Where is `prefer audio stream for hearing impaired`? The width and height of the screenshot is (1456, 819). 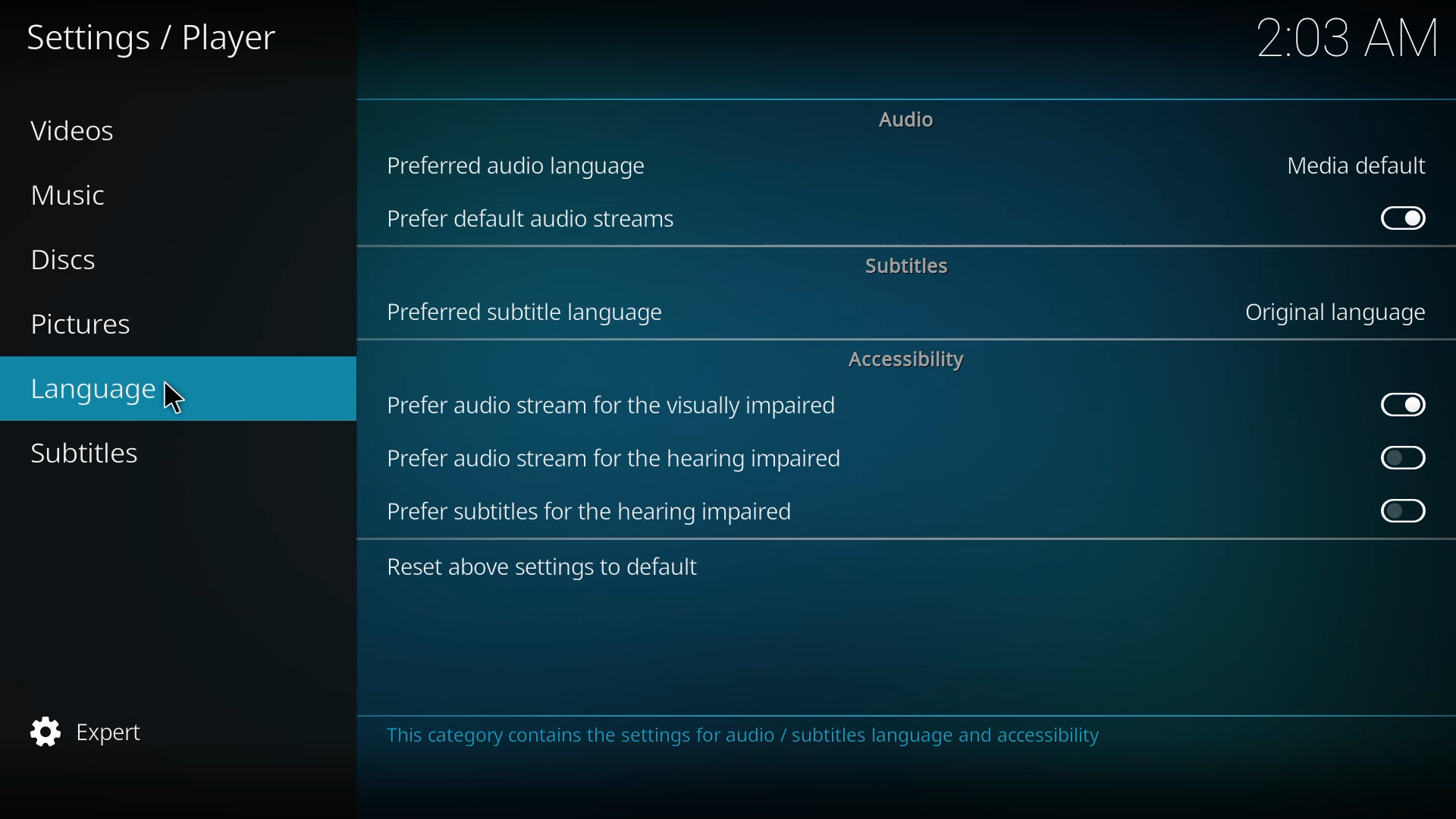
prefer audio stream for hearing impaired is located at coordinates (612, 460).